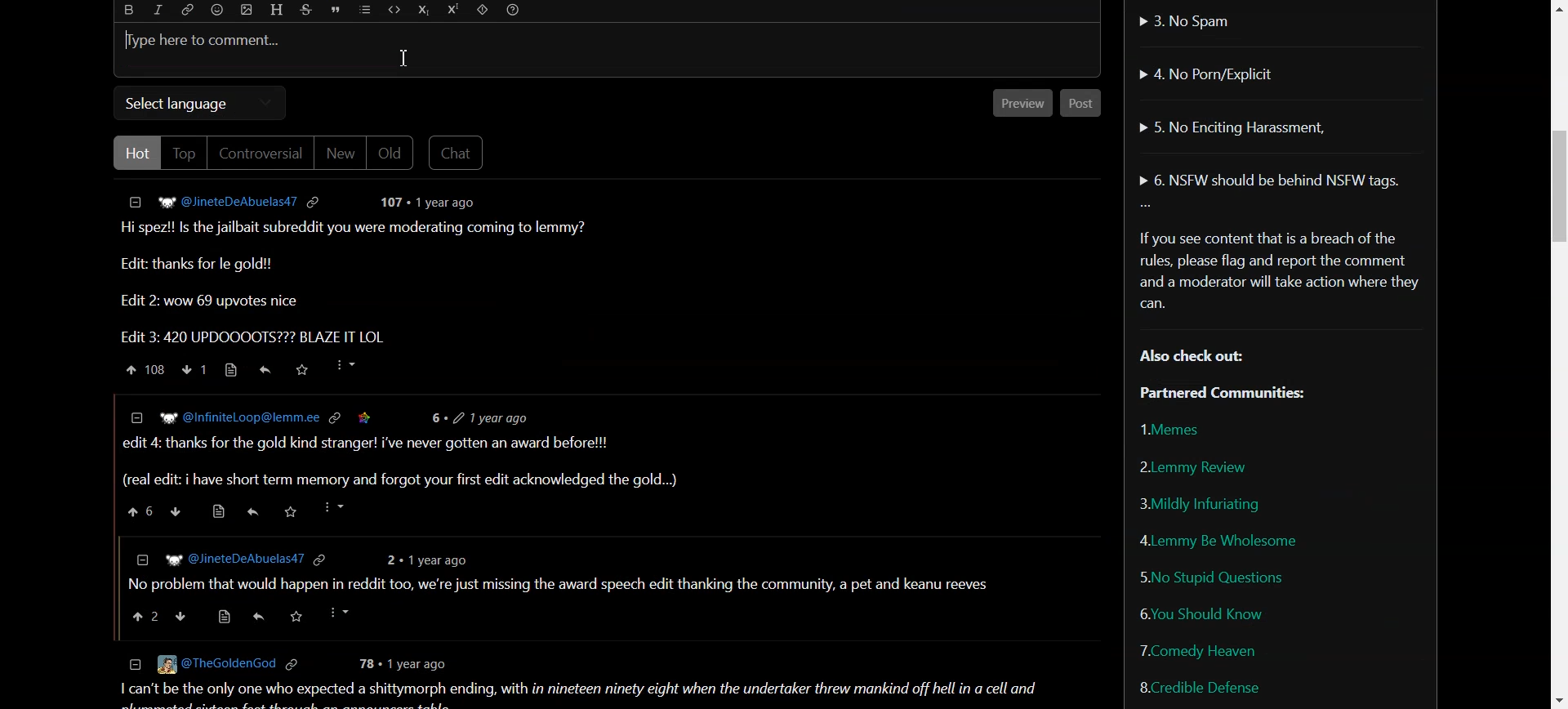 The width and height of the screenshot is (1568, 709). What do you see at coordinates (424, 10) in the screenshot?
I see `Subscript` at bounding box center [424, 10].